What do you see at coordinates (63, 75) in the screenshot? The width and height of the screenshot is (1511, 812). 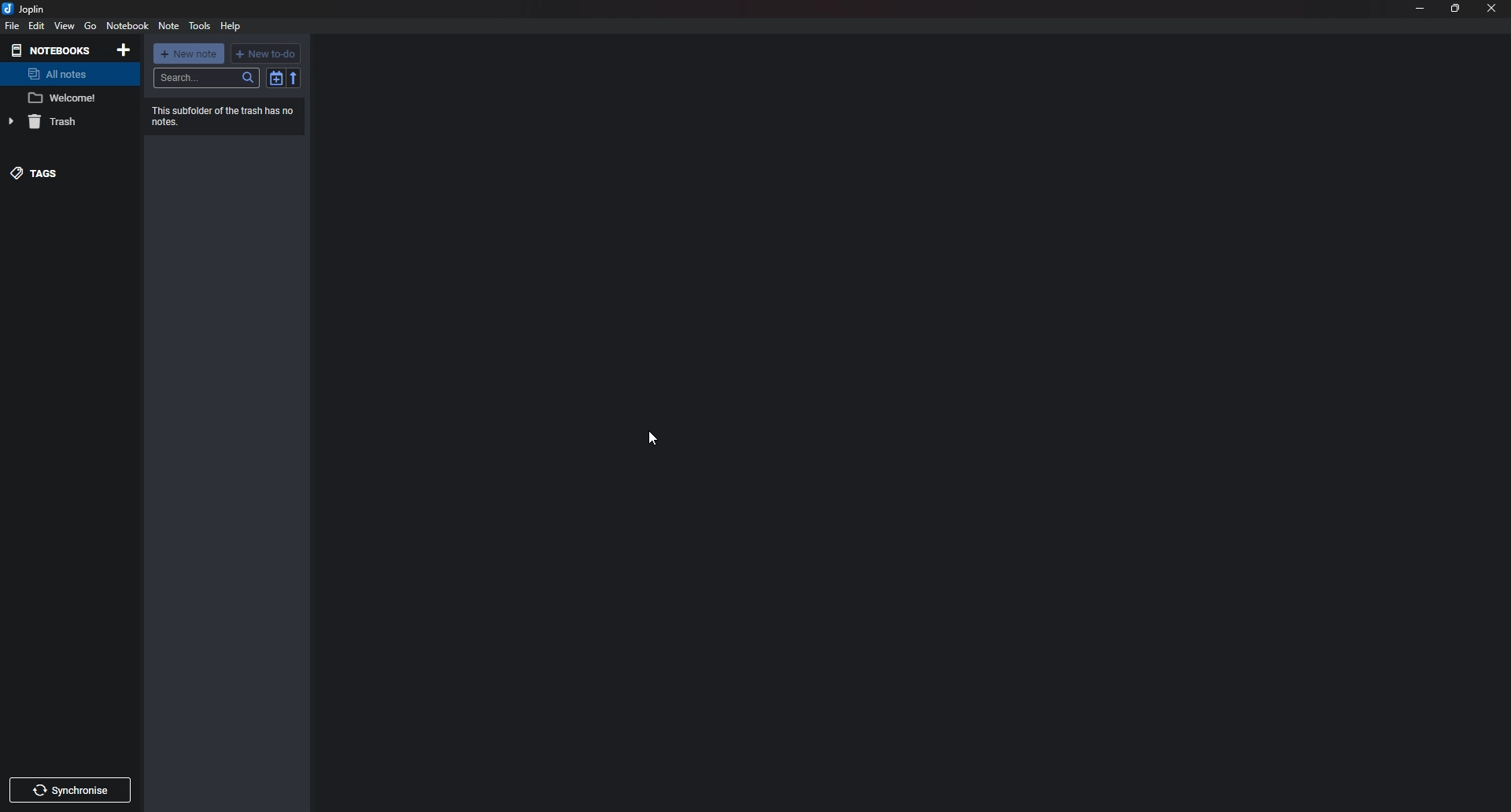 I see `all notes` at bounding box center [63, 75].